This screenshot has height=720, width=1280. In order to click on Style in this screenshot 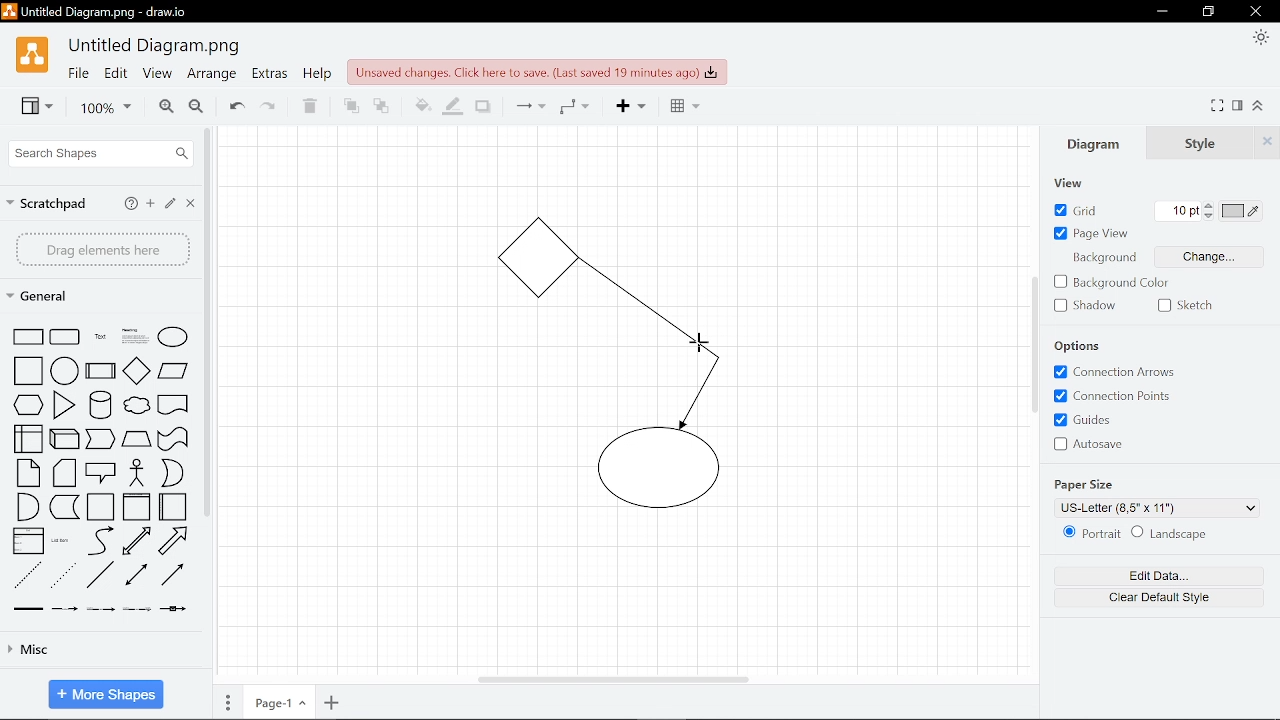, I will do `click(1209, 141)`.